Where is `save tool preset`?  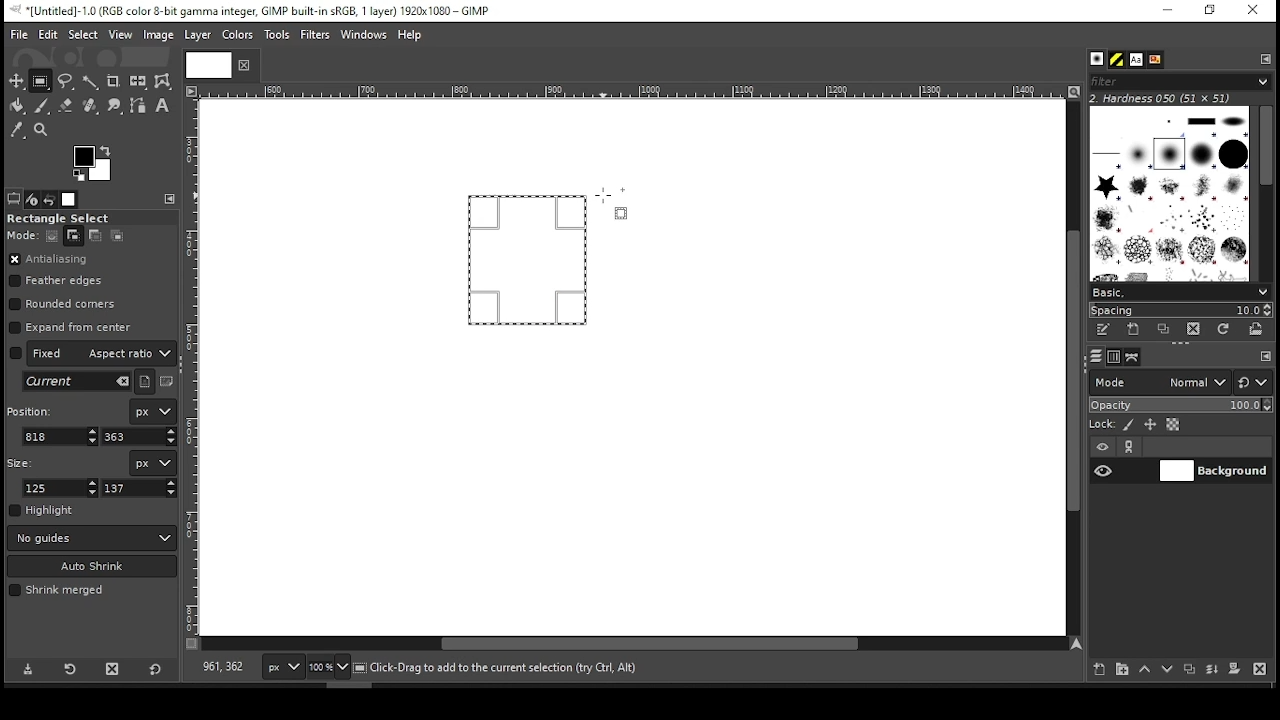 save tool preset is located at coordinates (30, 668).